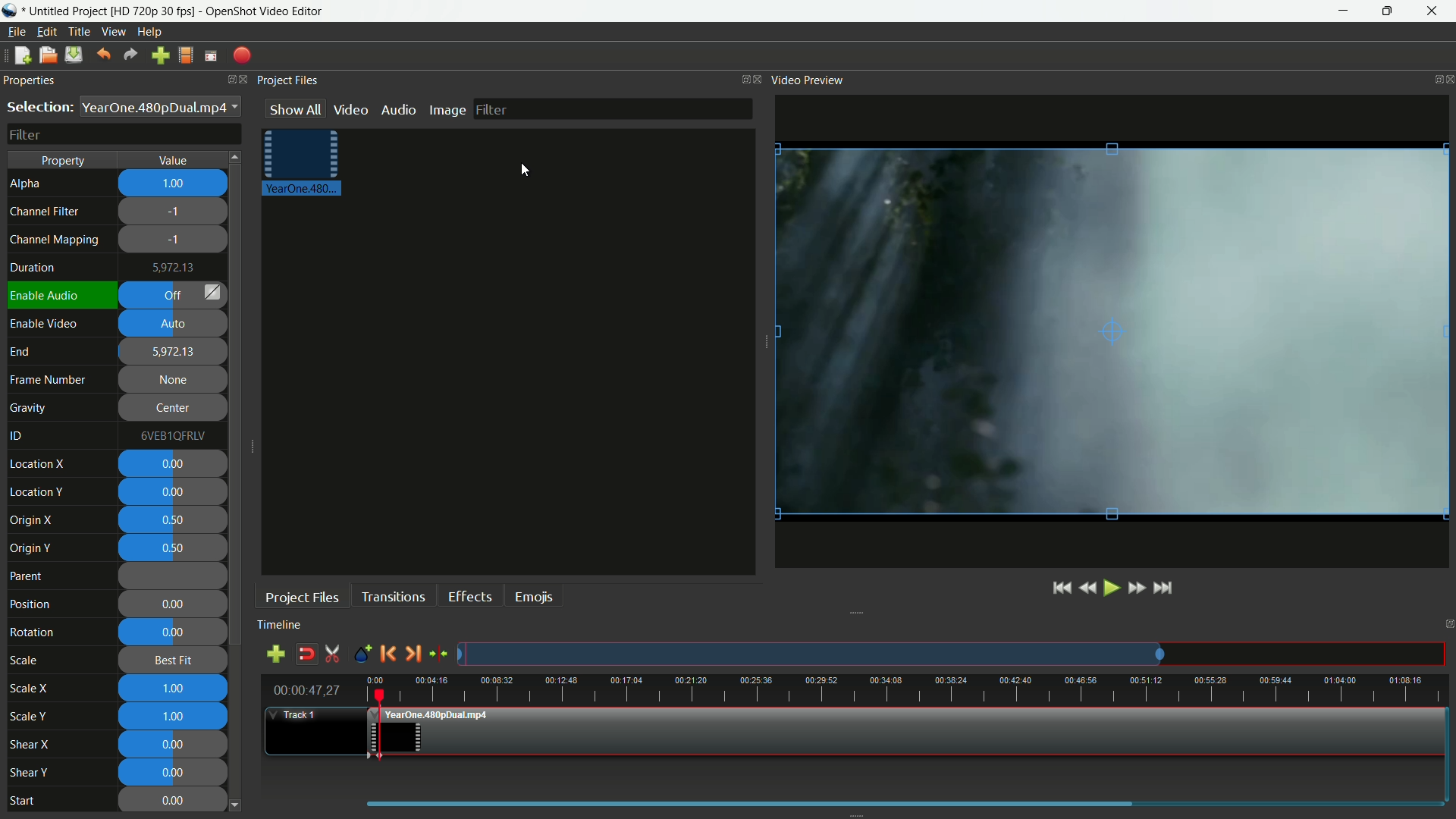 The width and height of the screenshot is (1456, 819). I want to click on disable snap, so click(306, 654).